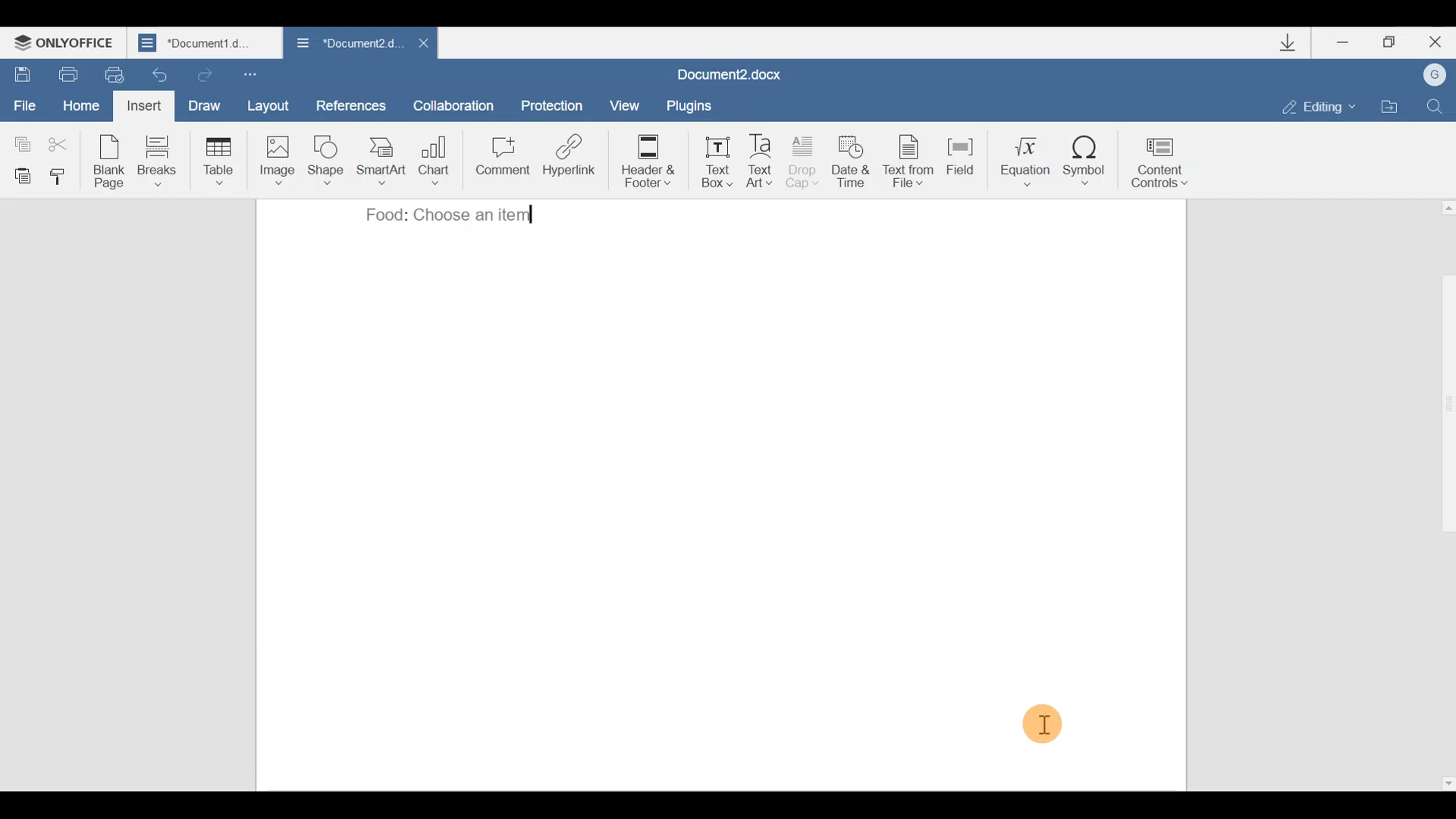  Describe the element at coordinates (1441, 104) in the screenshot. I see `Find` at that location.